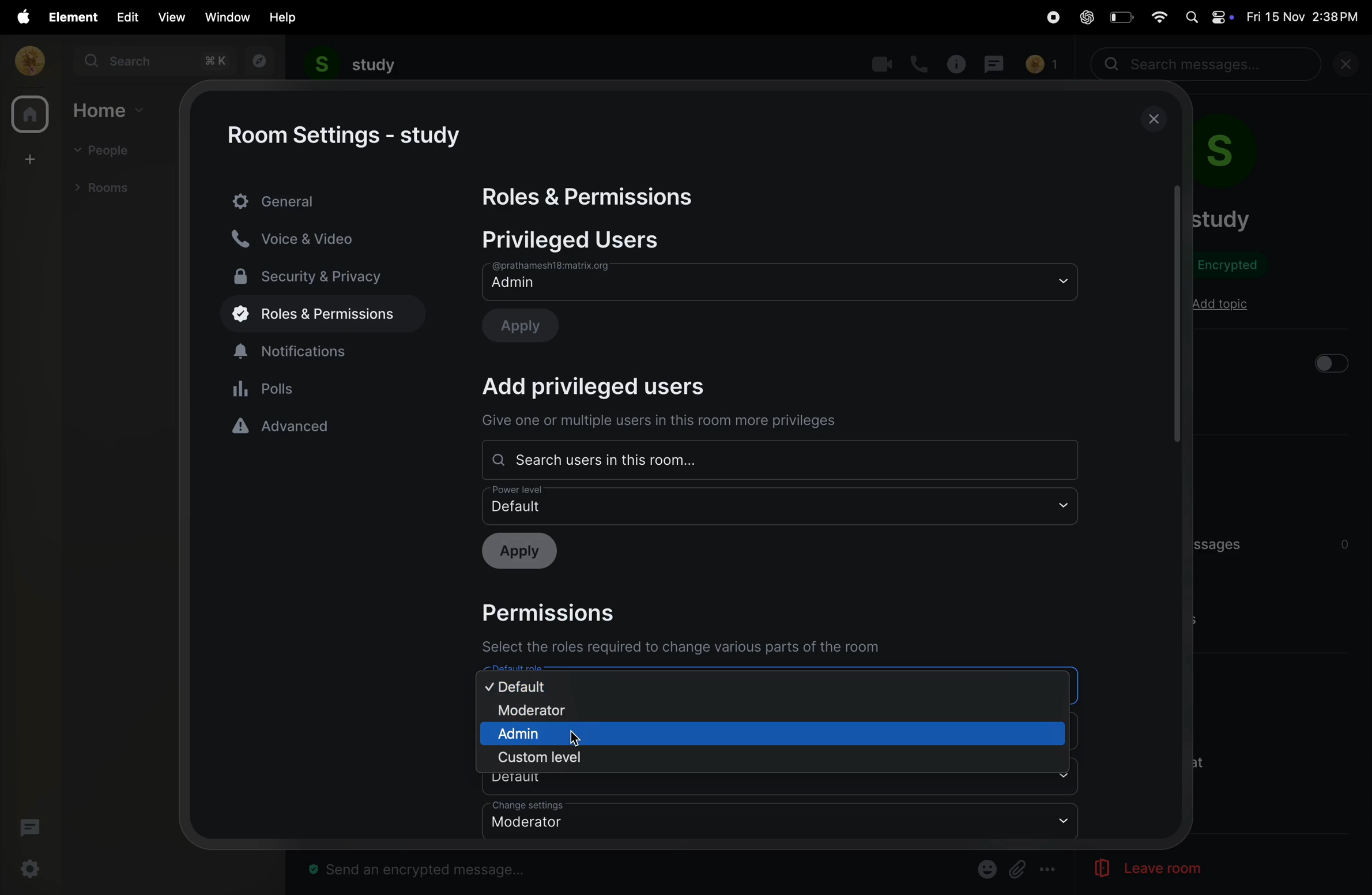 The height and width of the screenshot is (895, 1372). I want to click on call, so click(921, 63).